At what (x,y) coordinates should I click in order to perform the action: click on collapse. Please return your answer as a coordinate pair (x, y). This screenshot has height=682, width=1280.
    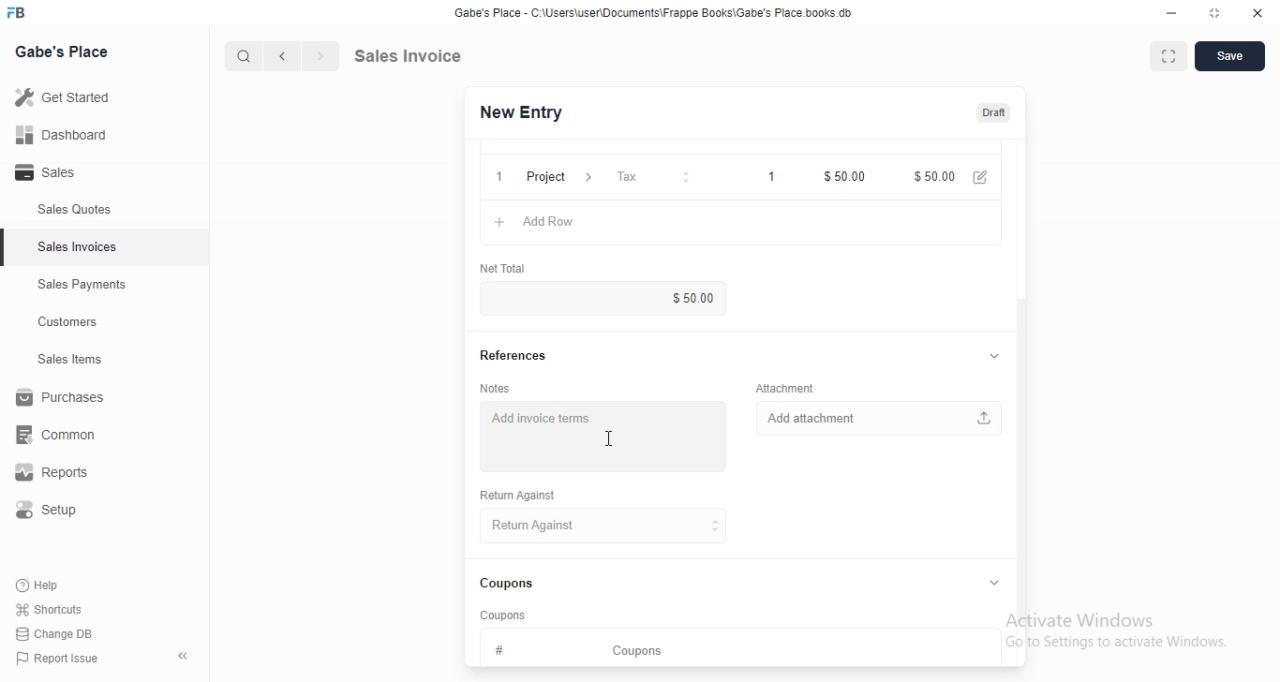
    Looking at the image, I should click on (185, 656).